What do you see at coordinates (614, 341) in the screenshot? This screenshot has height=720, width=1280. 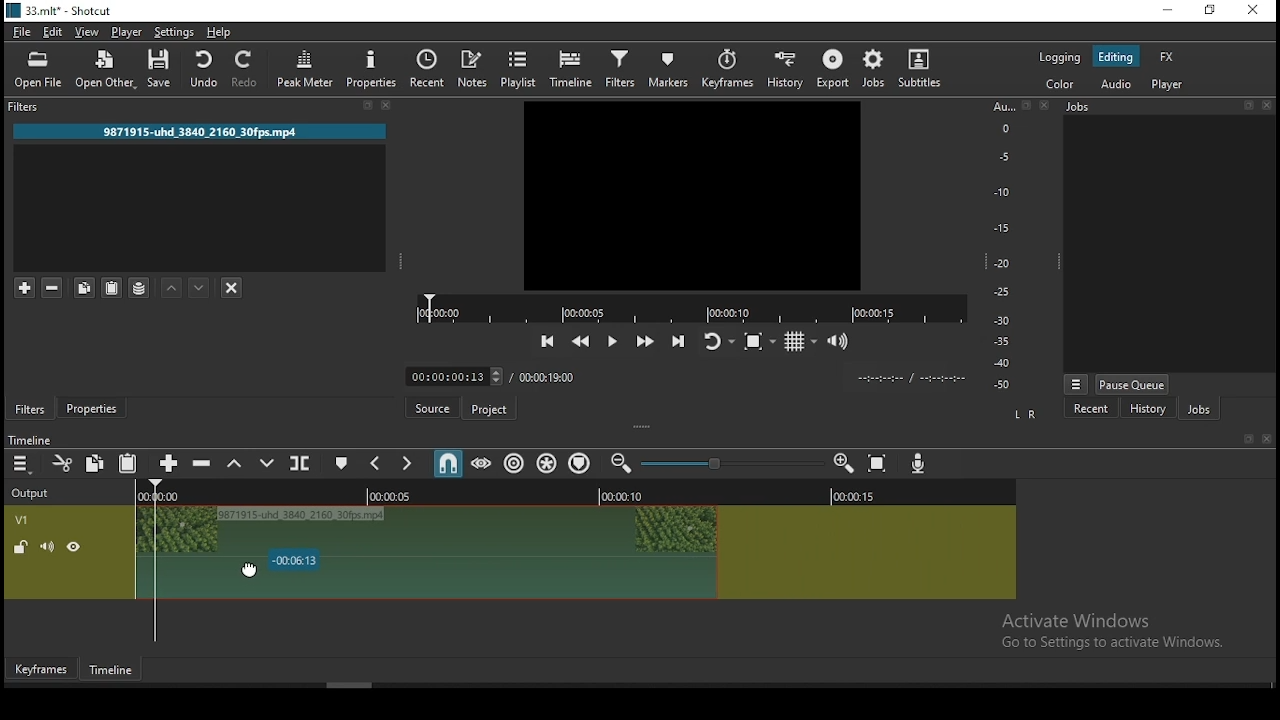 I see `play/pause` at bounding box center [614, 341].